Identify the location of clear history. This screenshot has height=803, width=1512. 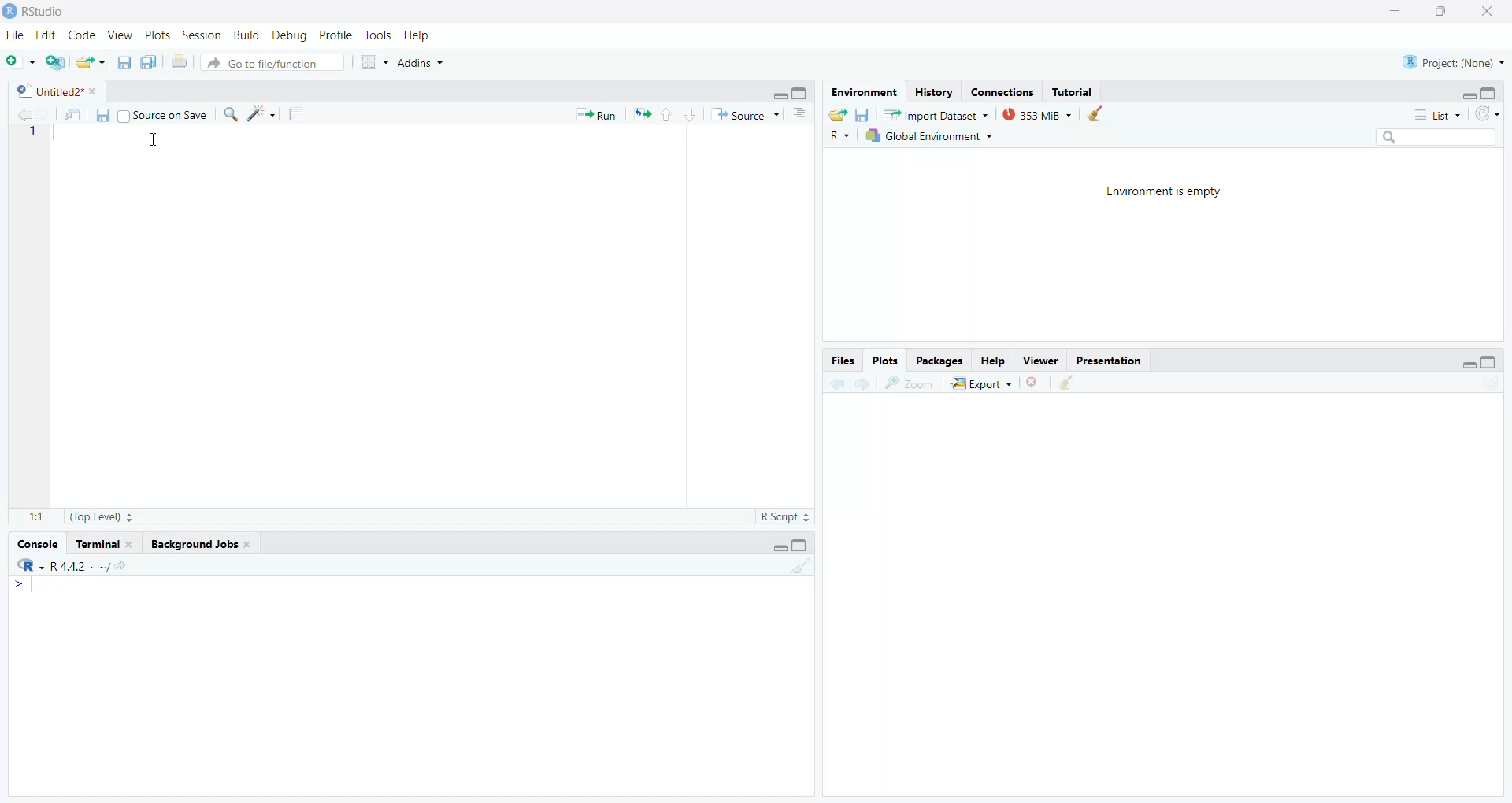
(1102, 114).